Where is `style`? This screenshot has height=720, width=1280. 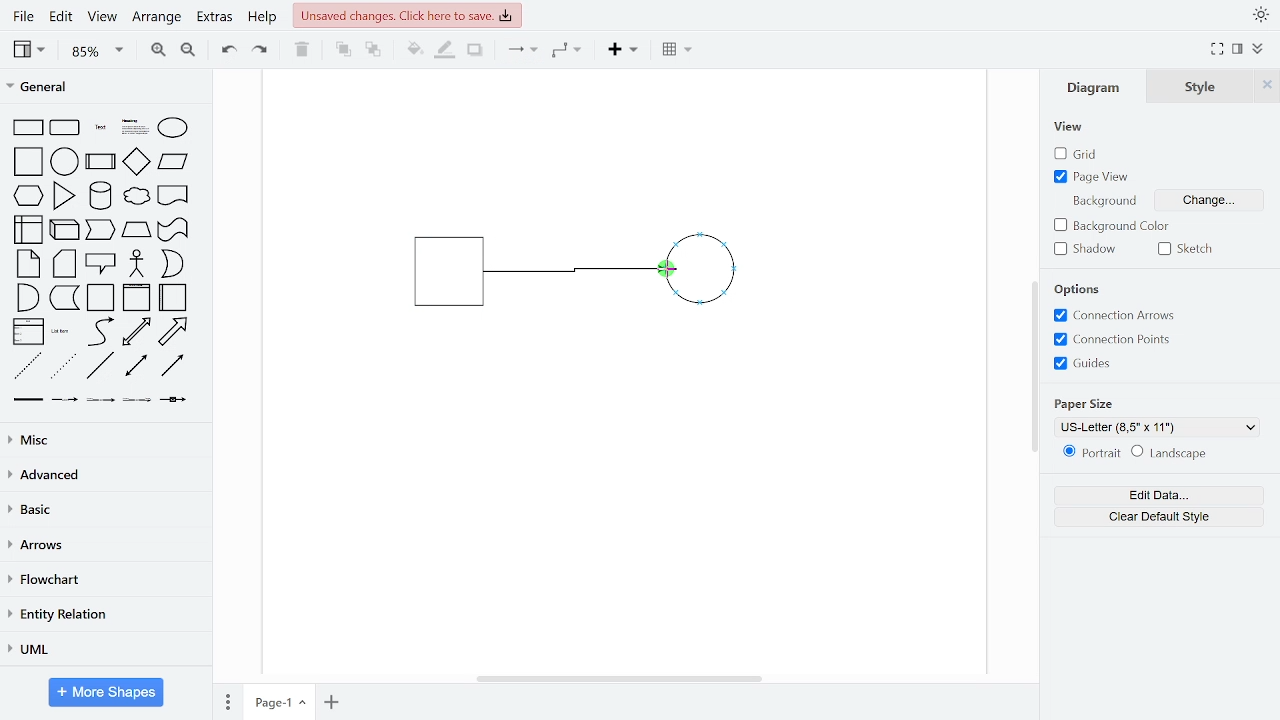 style is located at coordinates (1201, 86).